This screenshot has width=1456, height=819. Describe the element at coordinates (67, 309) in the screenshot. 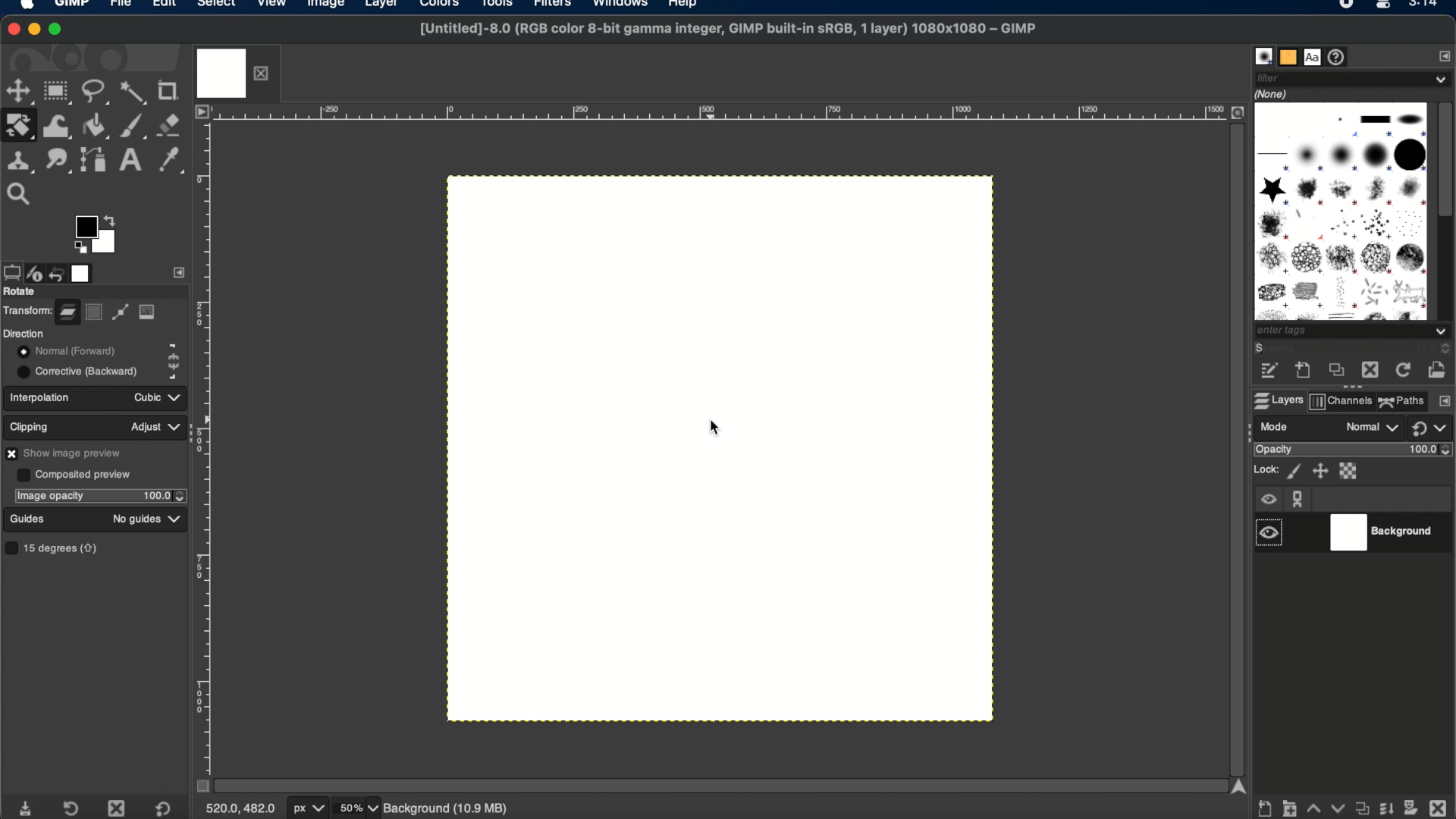

I see `layer` at that location.